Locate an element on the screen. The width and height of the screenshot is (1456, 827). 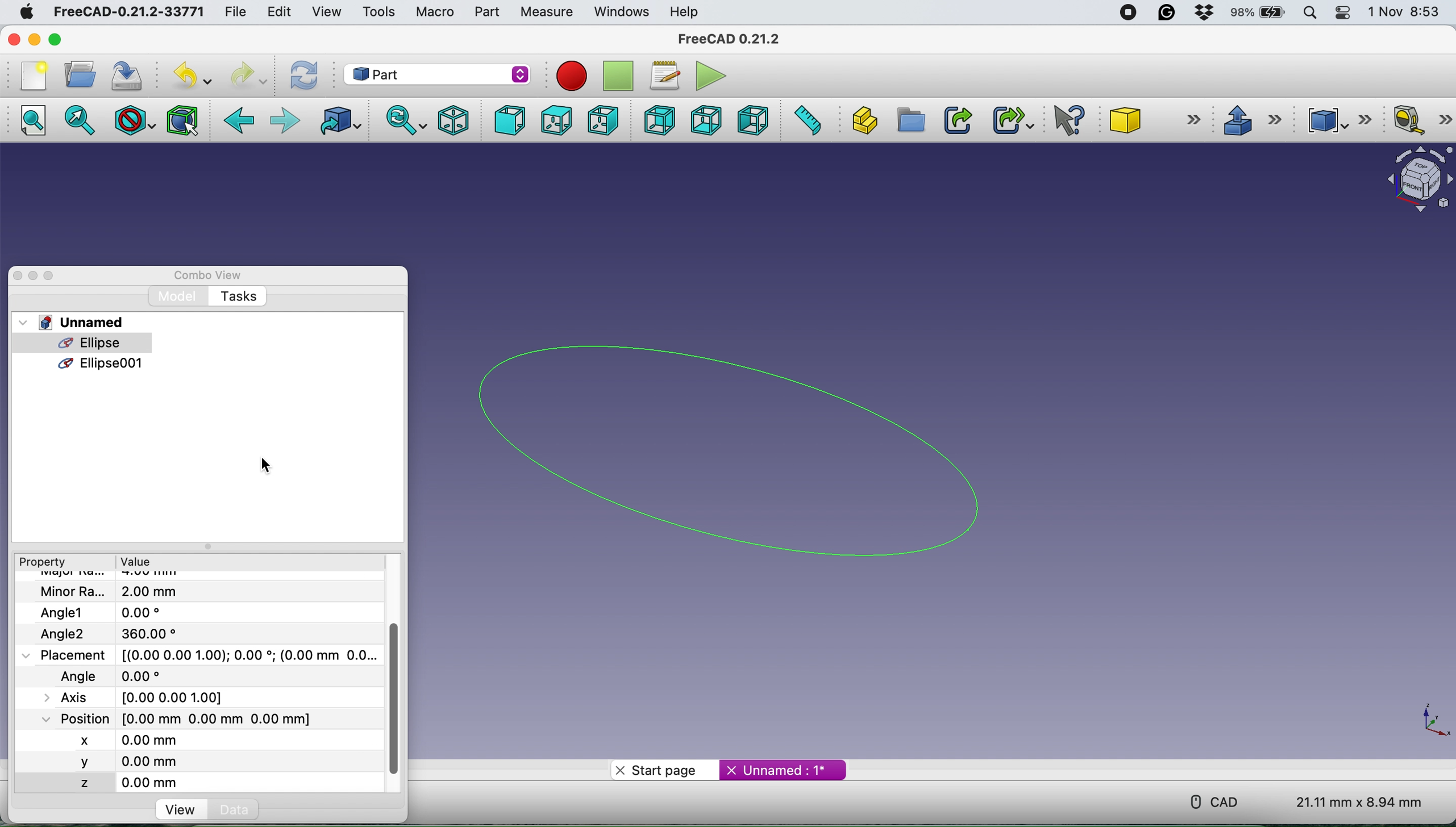
redo is located at coordinates (251, 74).